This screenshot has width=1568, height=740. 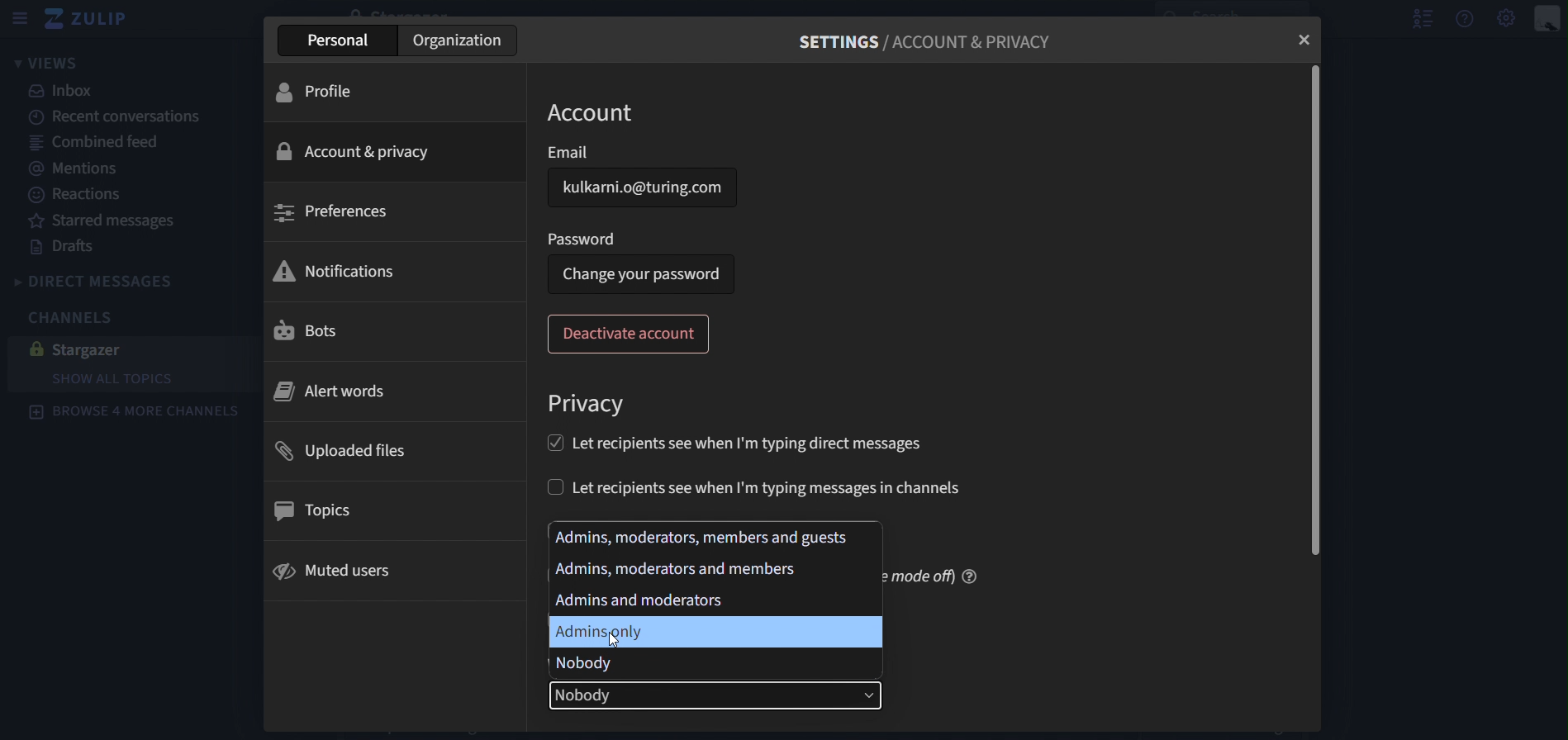 What do you see at coordinates (22, 17) in the screenshot?
I see `sidebar` at bounding box center [22, 17].